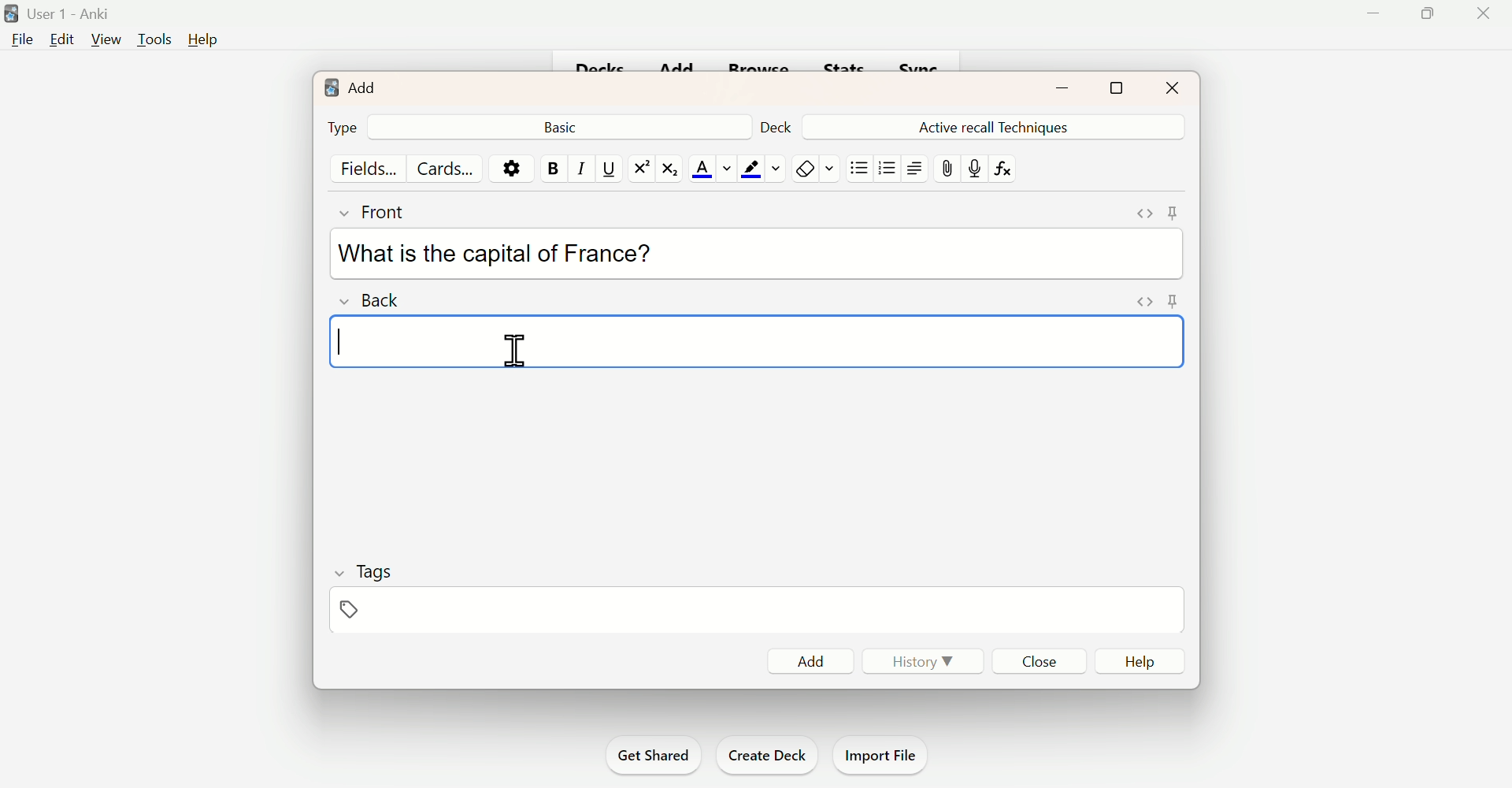 The image size is (1512, 788). I want to click on History, so click(929, 663).